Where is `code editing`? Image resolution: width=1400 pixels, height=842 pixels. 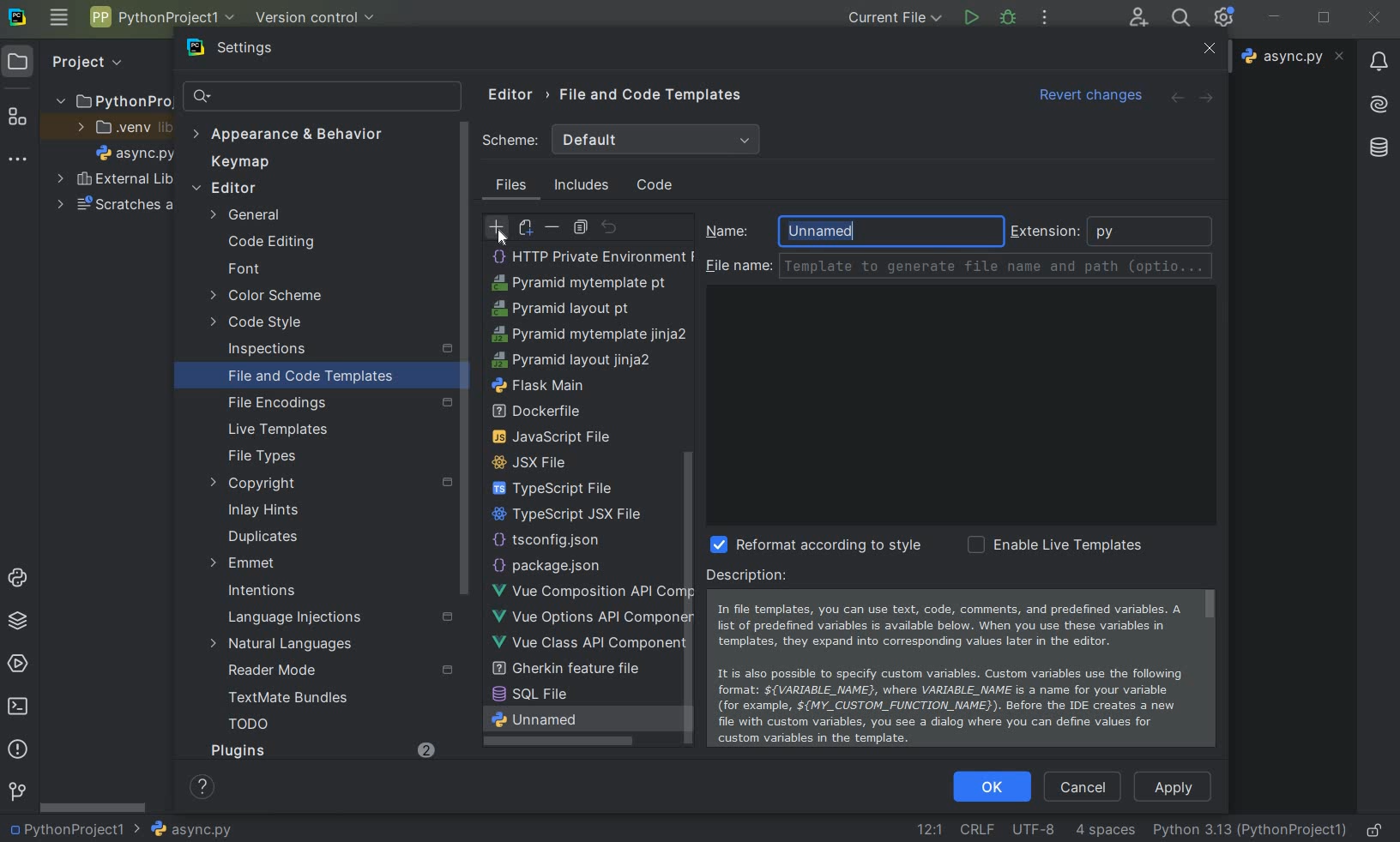 code editing is located at coordinates (267, 243).